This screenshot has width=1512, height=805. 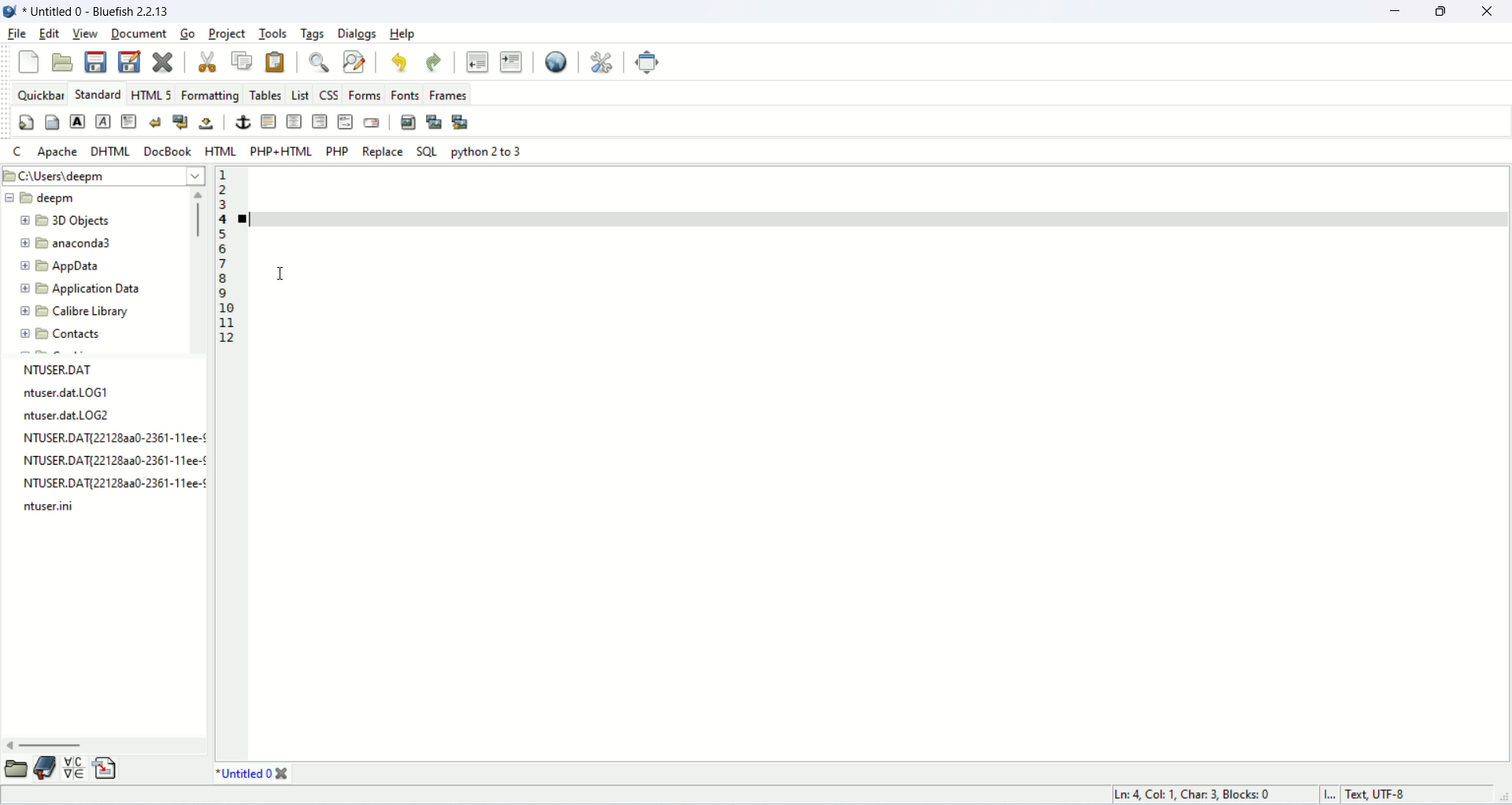 I want to click on list, so click(x=300, y=96).